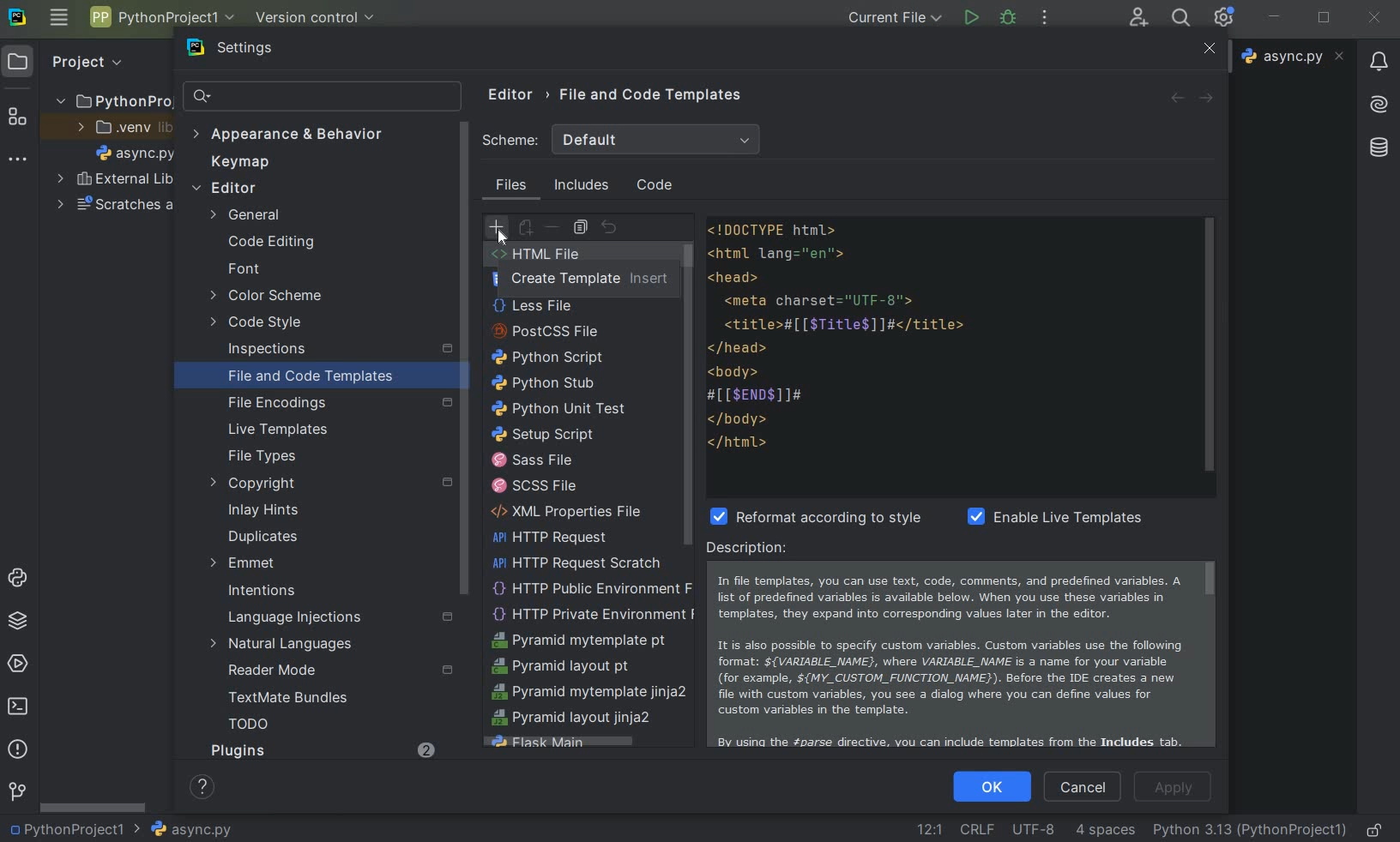 This screenshot has width=1400, height=842. I want to click on AI Assistant, so click(1374, 101).